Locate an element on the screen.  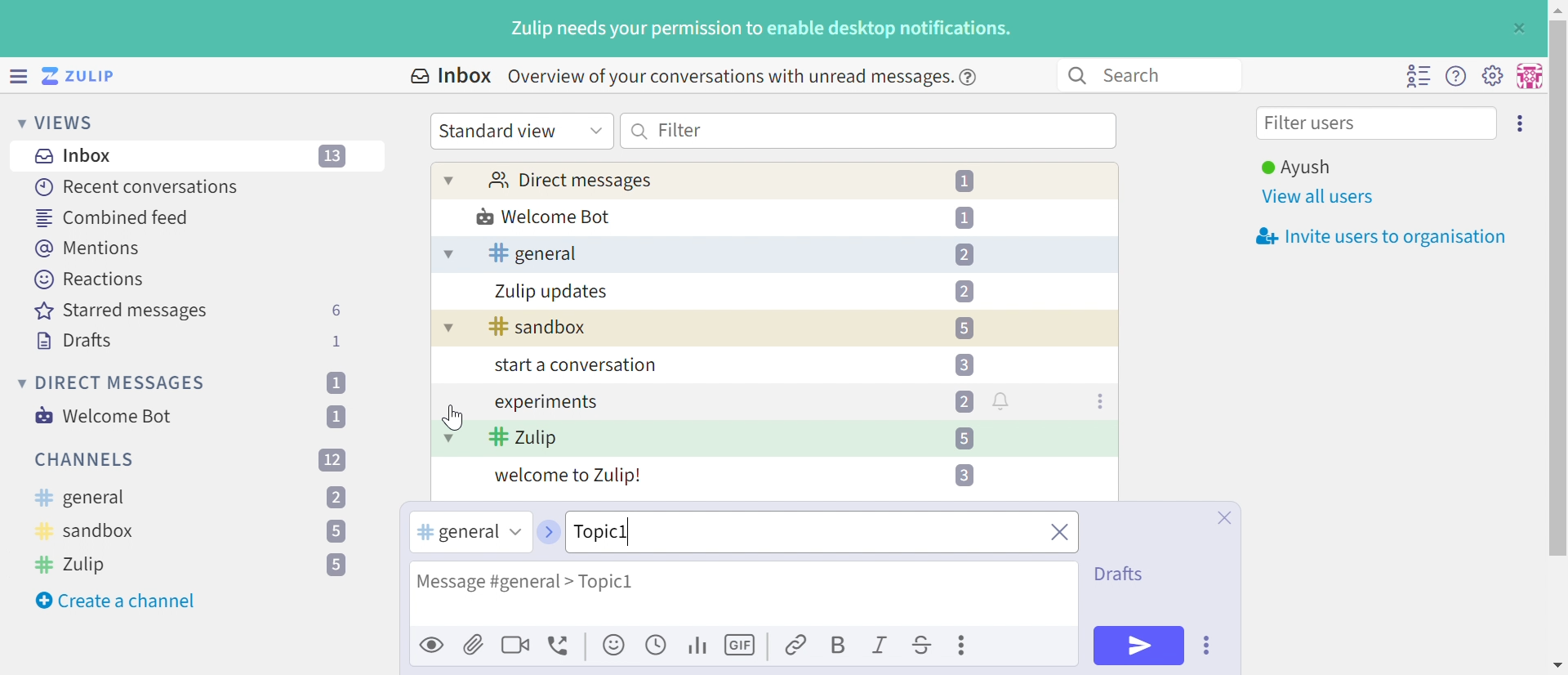
Inbox is located at coordinates (78, 156).